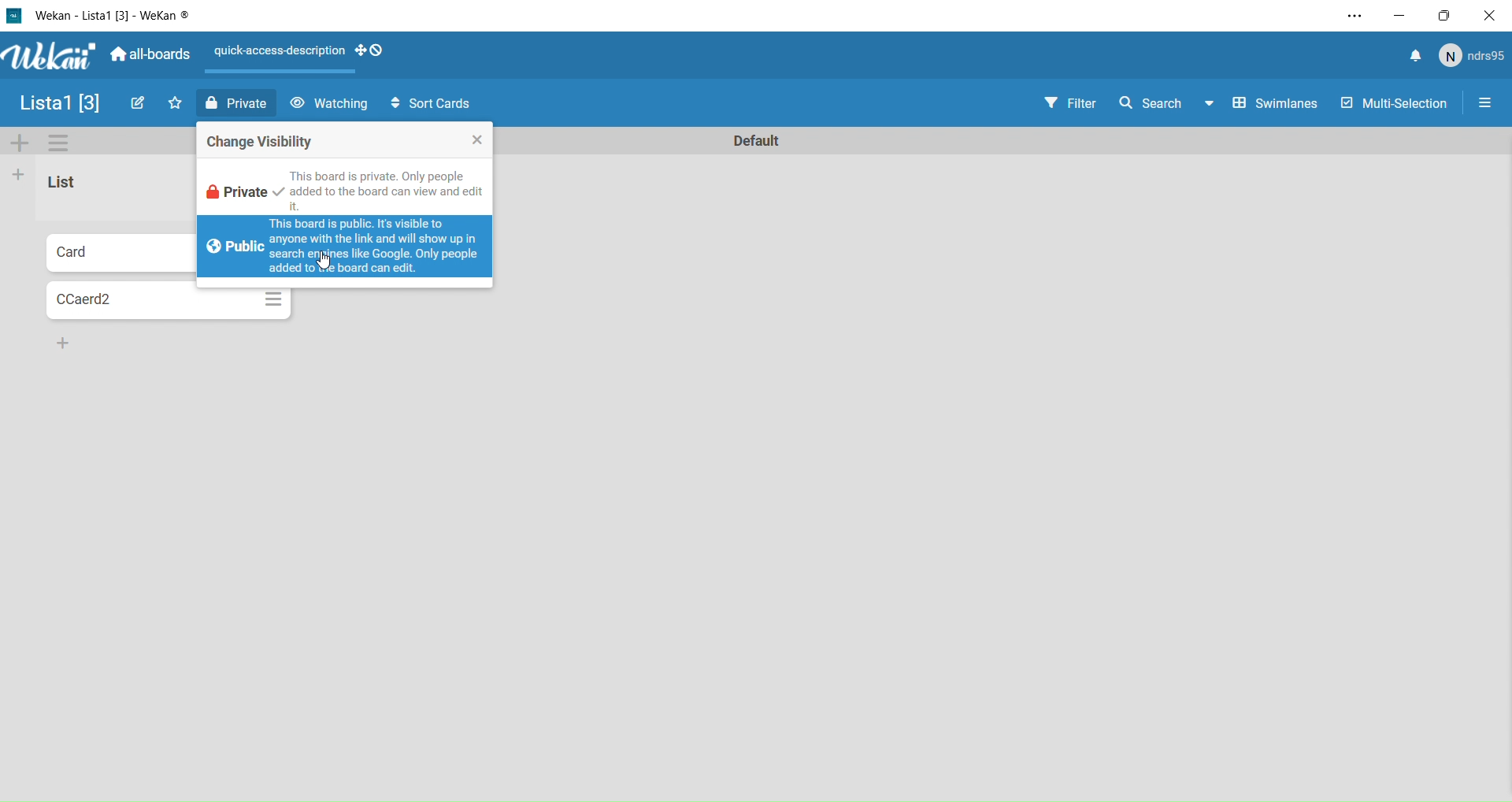 The image size is (1512, 802). I want to click on Card, so click(120, 303).